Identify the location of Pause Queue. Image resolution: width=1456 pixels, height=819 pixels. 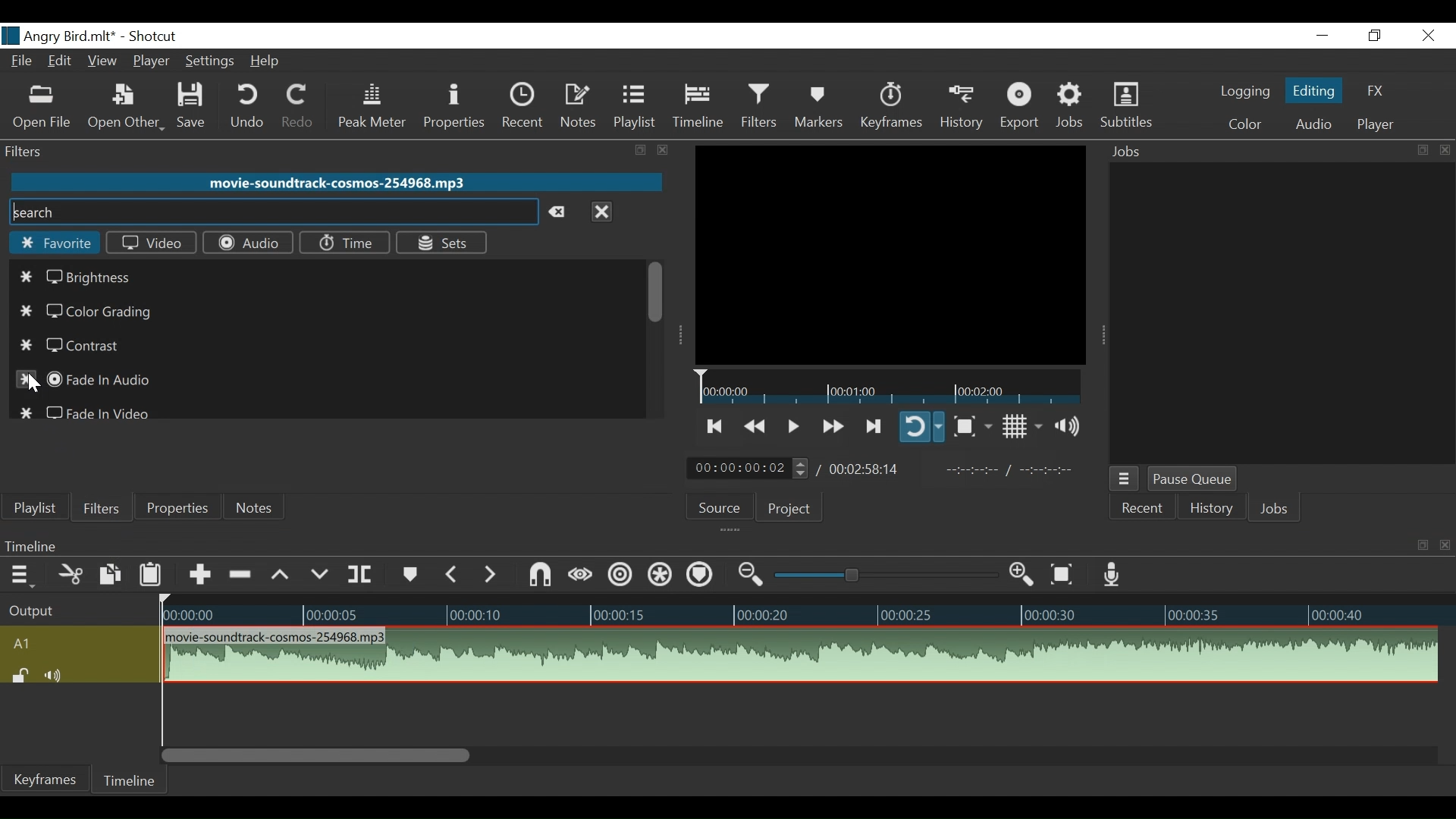
(1193, 479).